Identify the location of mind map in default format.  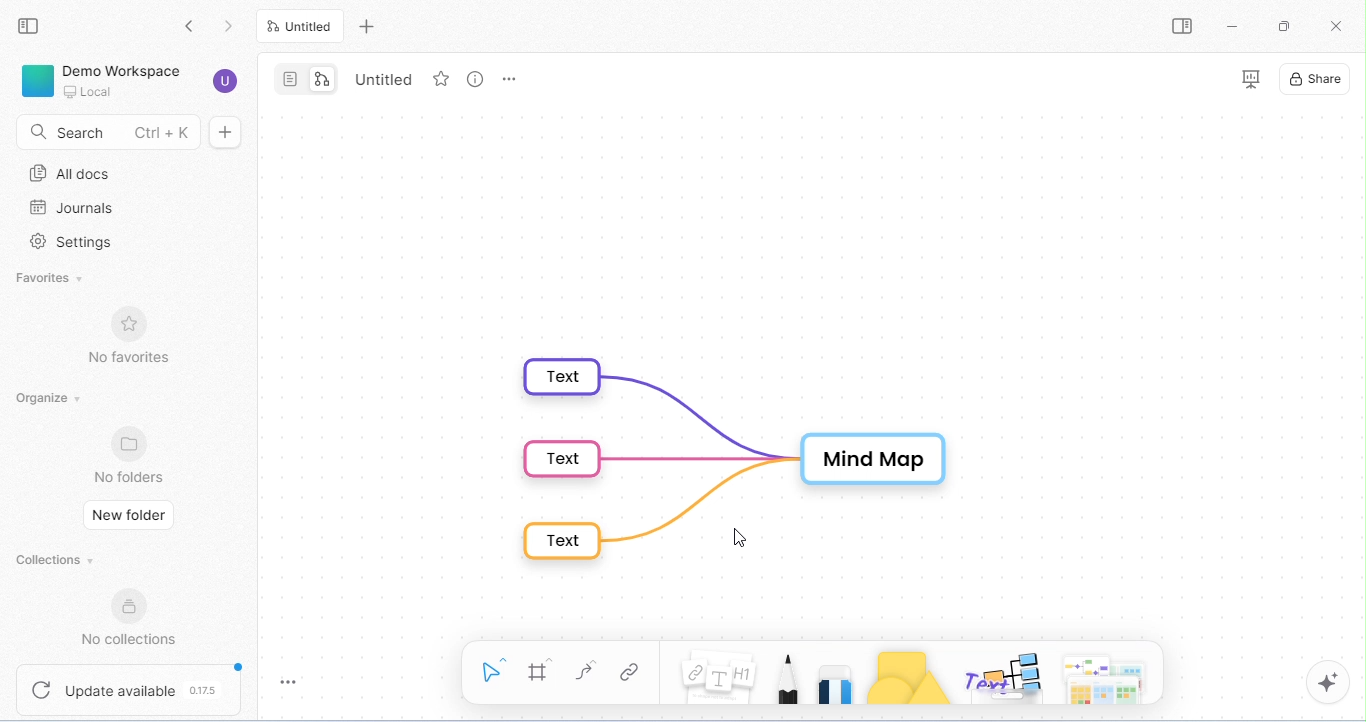
(738, 460).